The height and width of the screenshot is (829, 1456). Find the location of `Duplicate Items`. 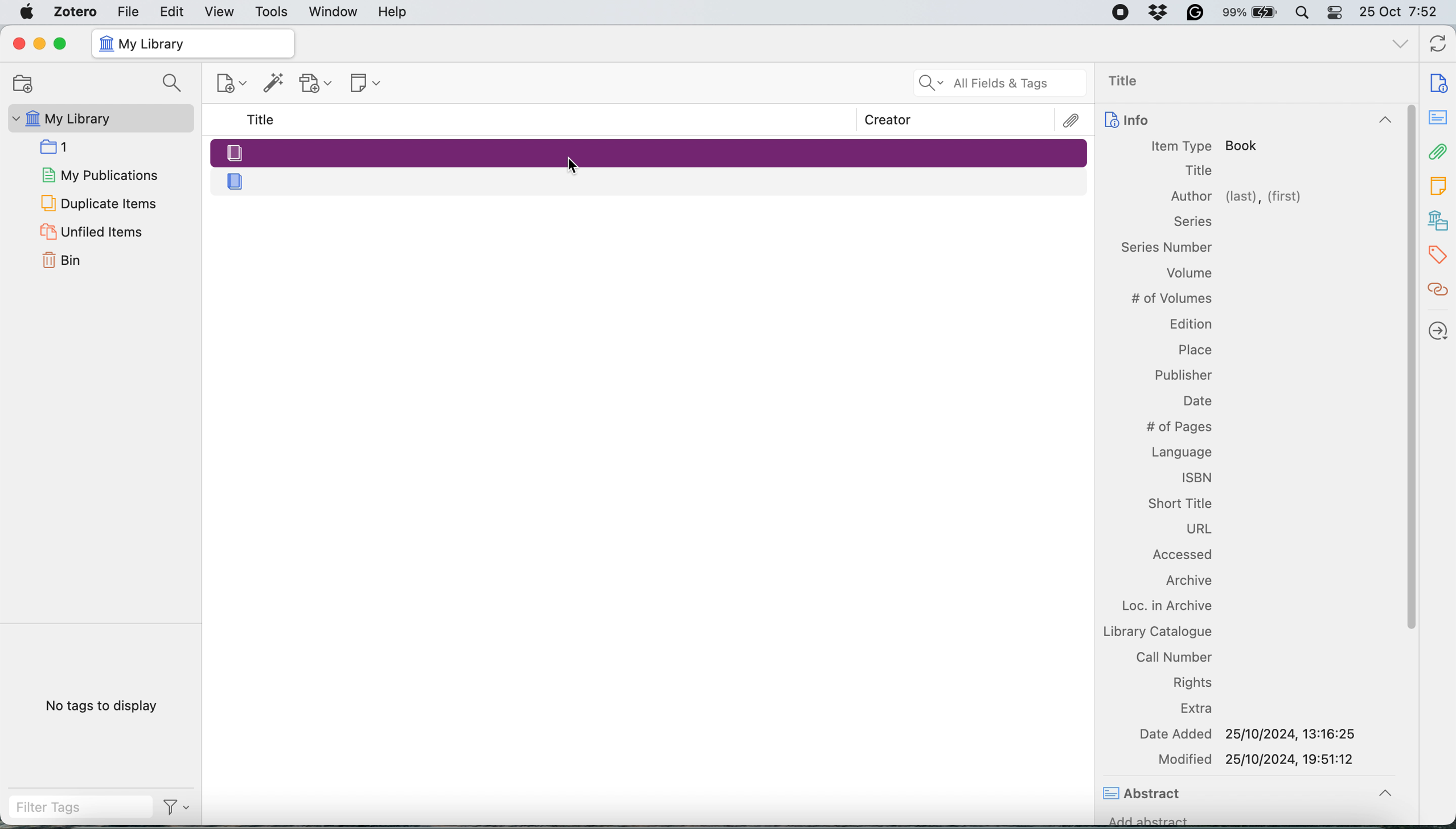

Duplicate Items is located at coordinates (97, 202).